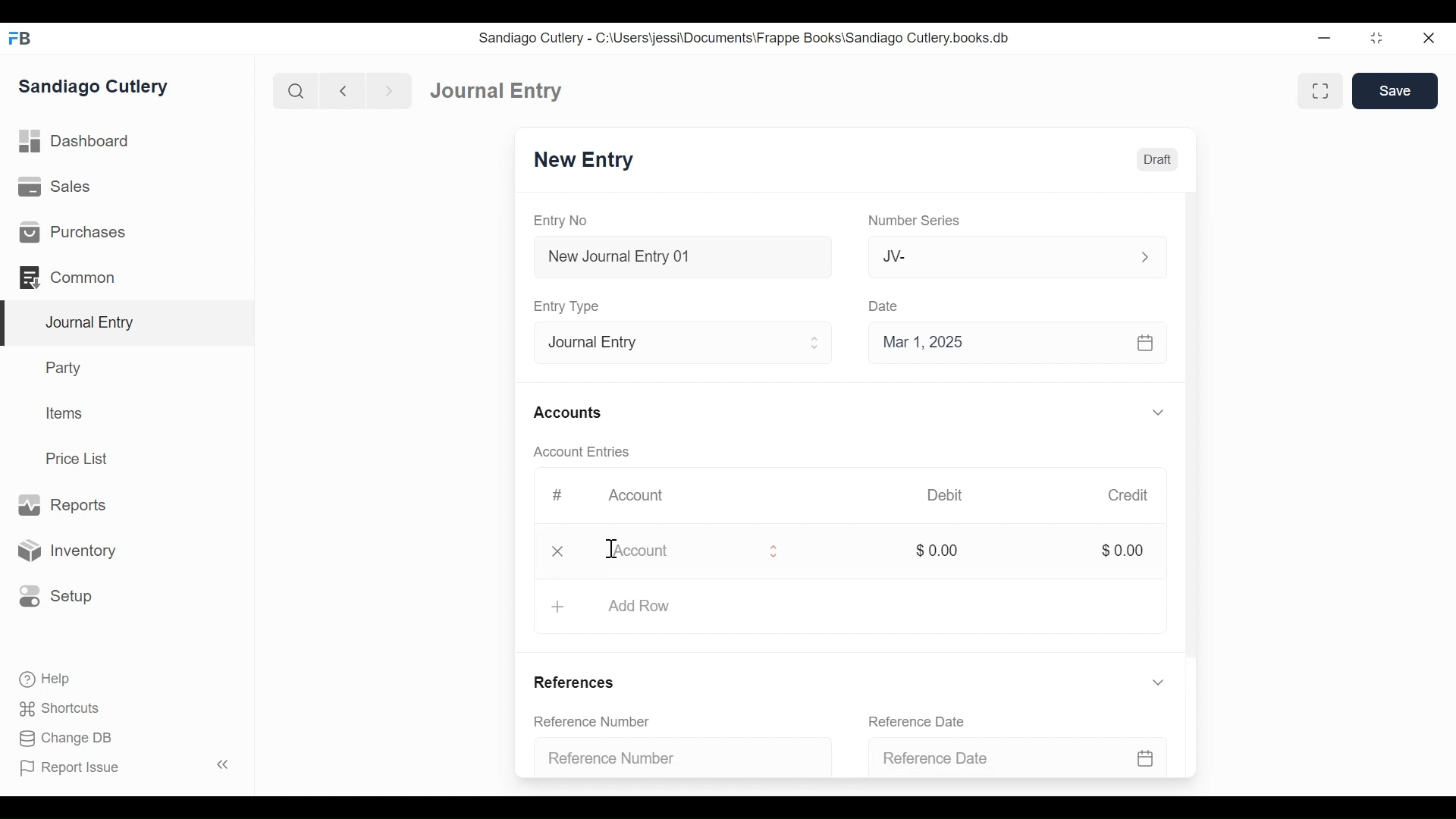  I want to click on Add Row, so click(846, 608).